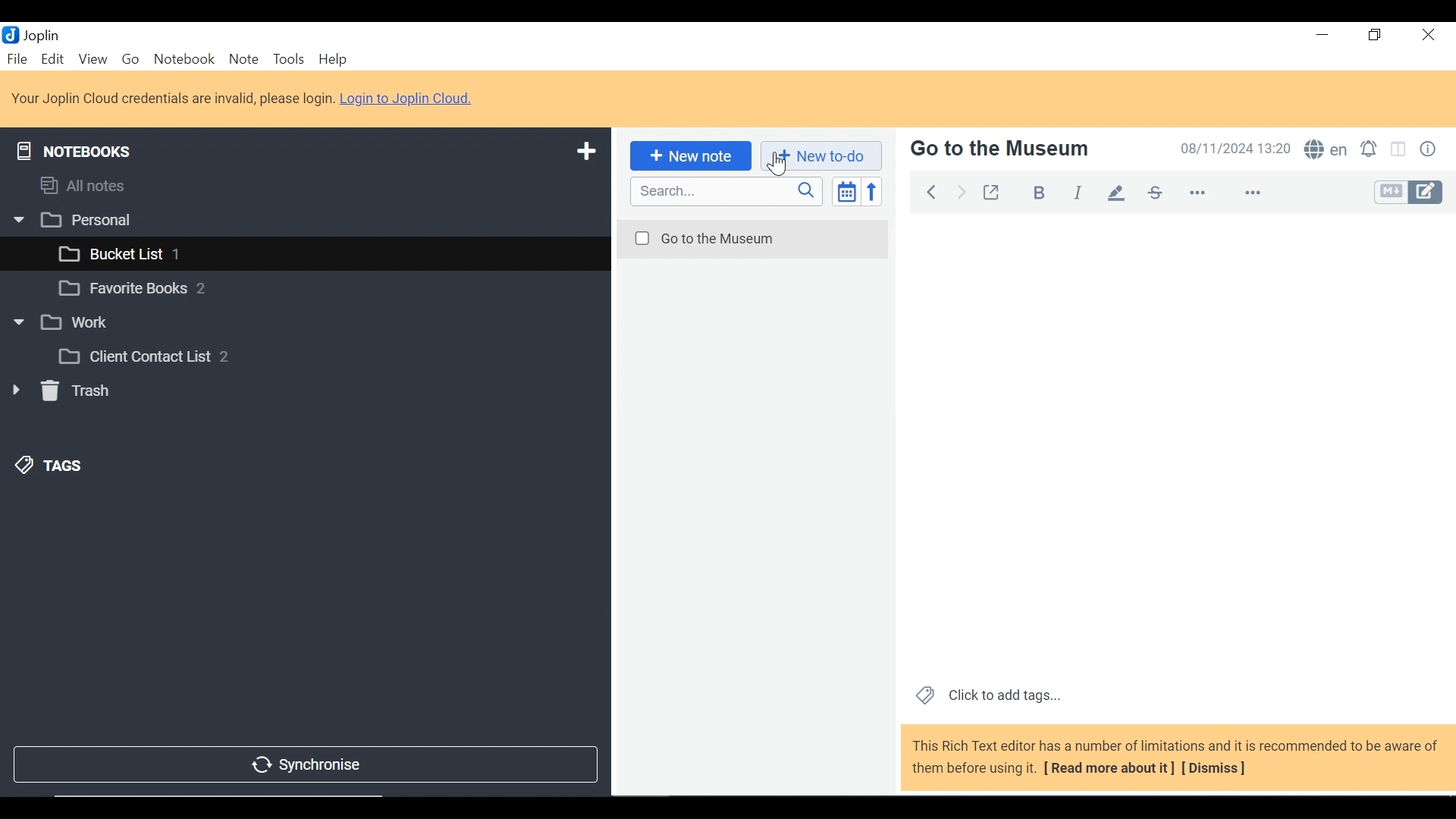 This screenshot has height=819, width=1456. Describe the element at coordinates (871, 191) in the screenshot. I see `Reverse Order` at that location.